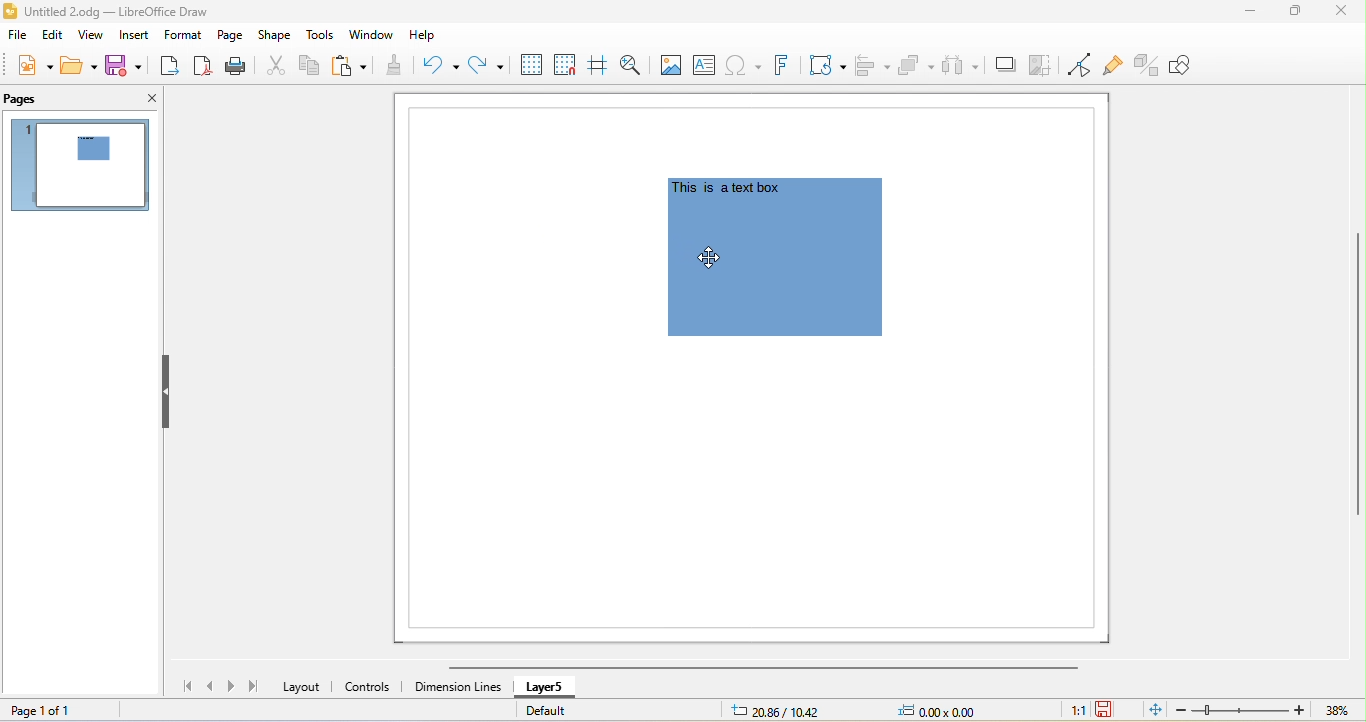 This screenshot has height=722, width=1366. What do you see at coordinates (874, 67) in the screenshot?
I see `align object` at bounding box center [874, 67].